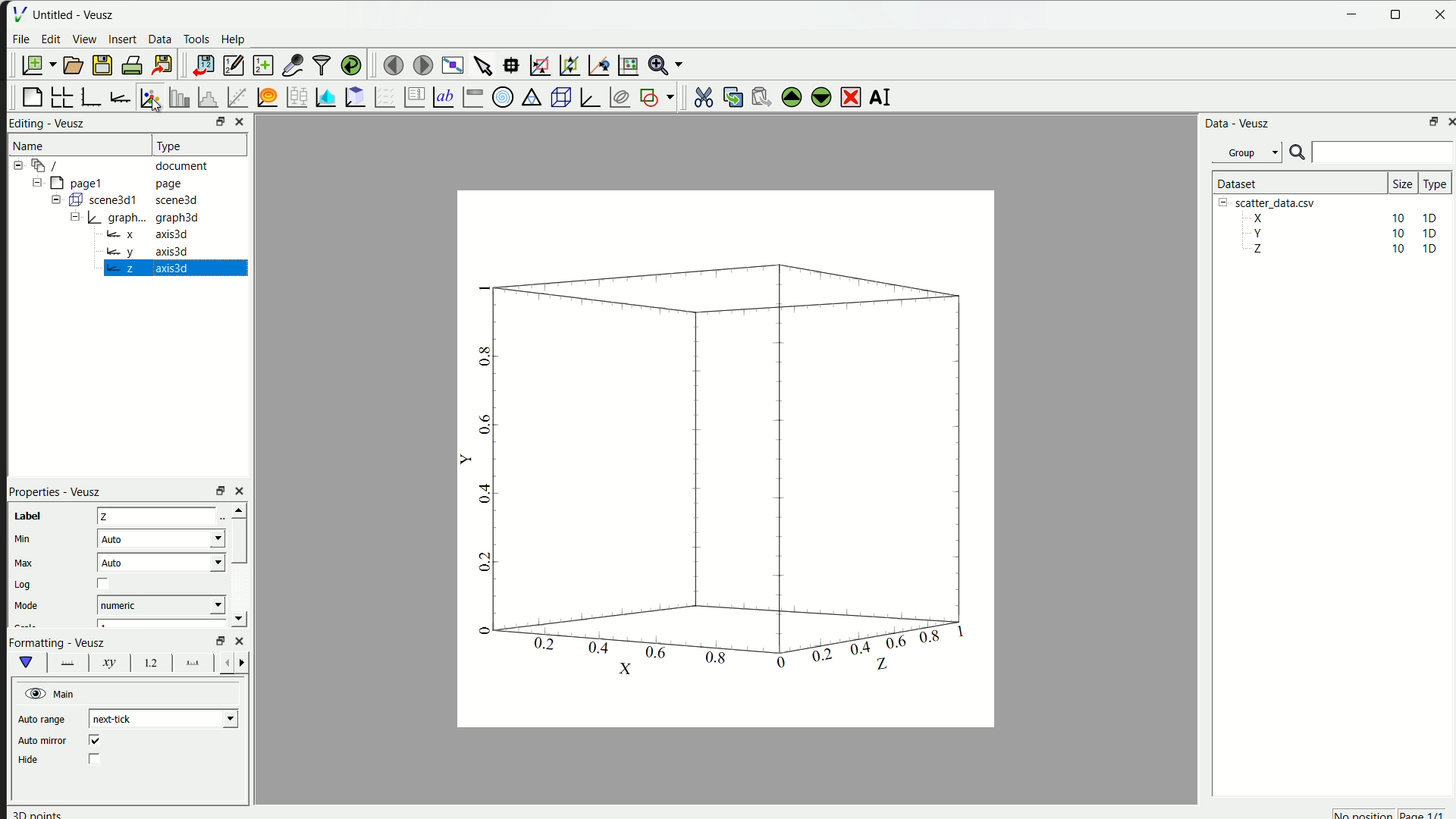 This screenshot has height=819, width=1456. I want to click on Help, so click(233, 38).